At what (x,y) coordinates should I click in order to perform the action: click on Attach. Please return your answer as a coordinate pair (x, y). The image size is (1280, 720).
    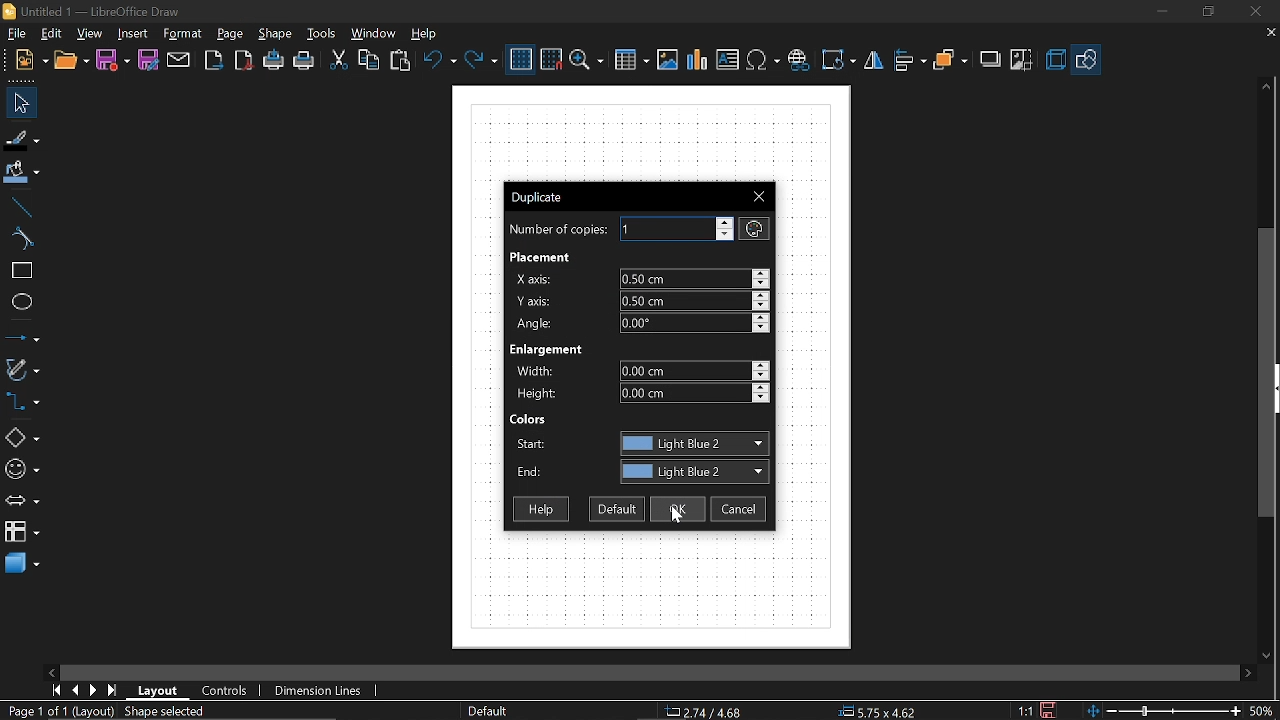
    Looking at the image, I should click on (180, 61).